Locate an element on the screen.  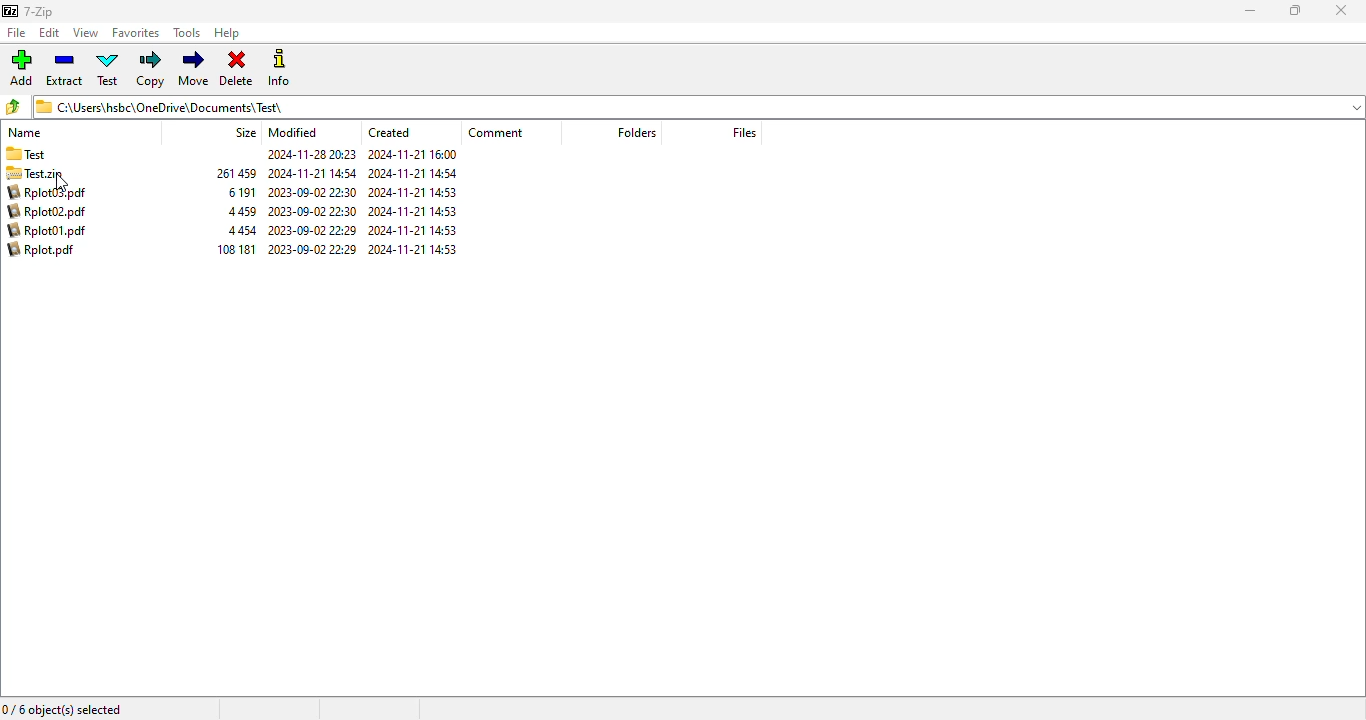
2023-09-02 22:30 is located at coordinates (313, 193).